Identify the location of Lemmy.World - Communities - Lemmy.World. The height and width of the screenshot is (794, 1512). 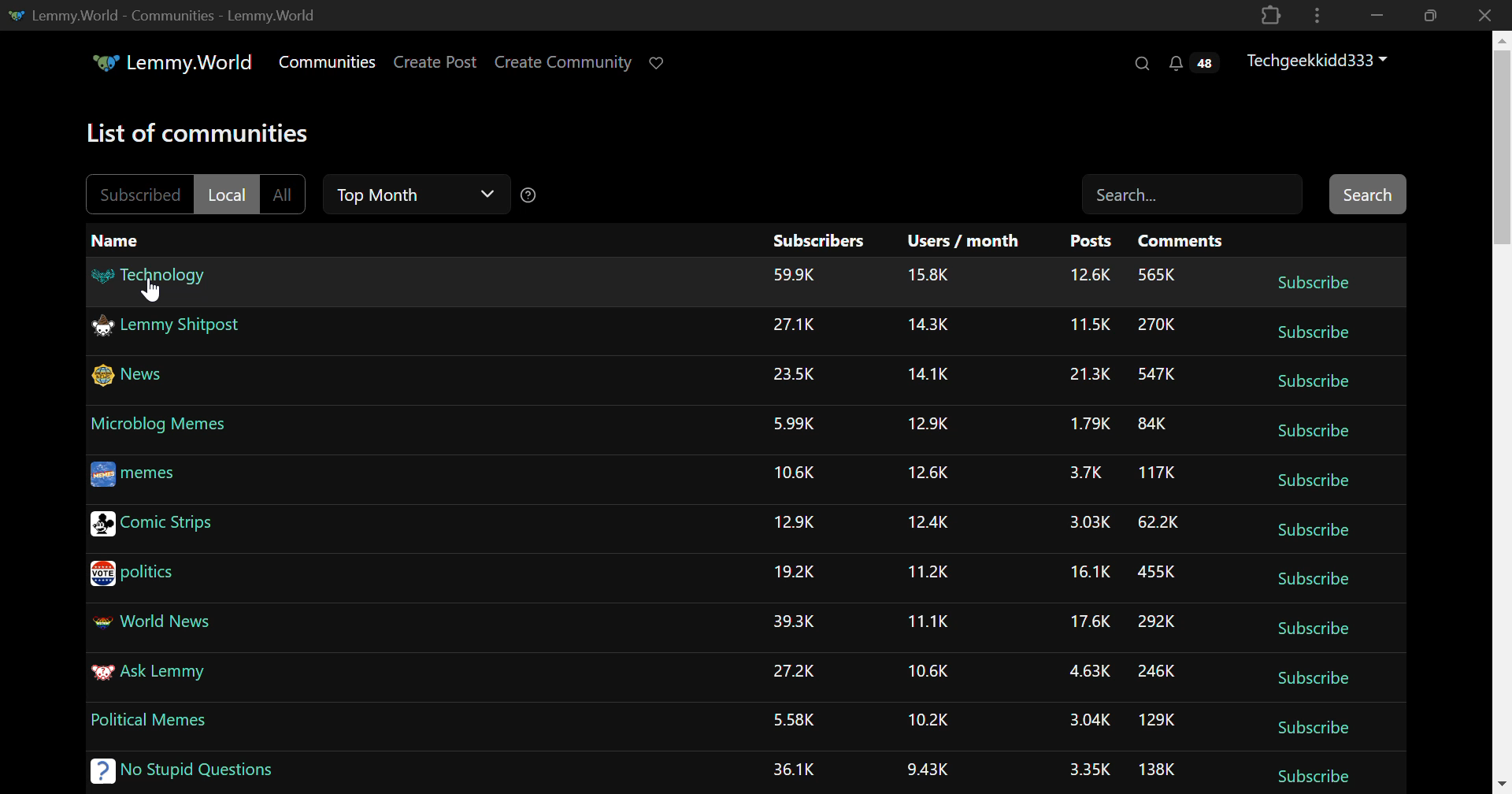
(169, 14).